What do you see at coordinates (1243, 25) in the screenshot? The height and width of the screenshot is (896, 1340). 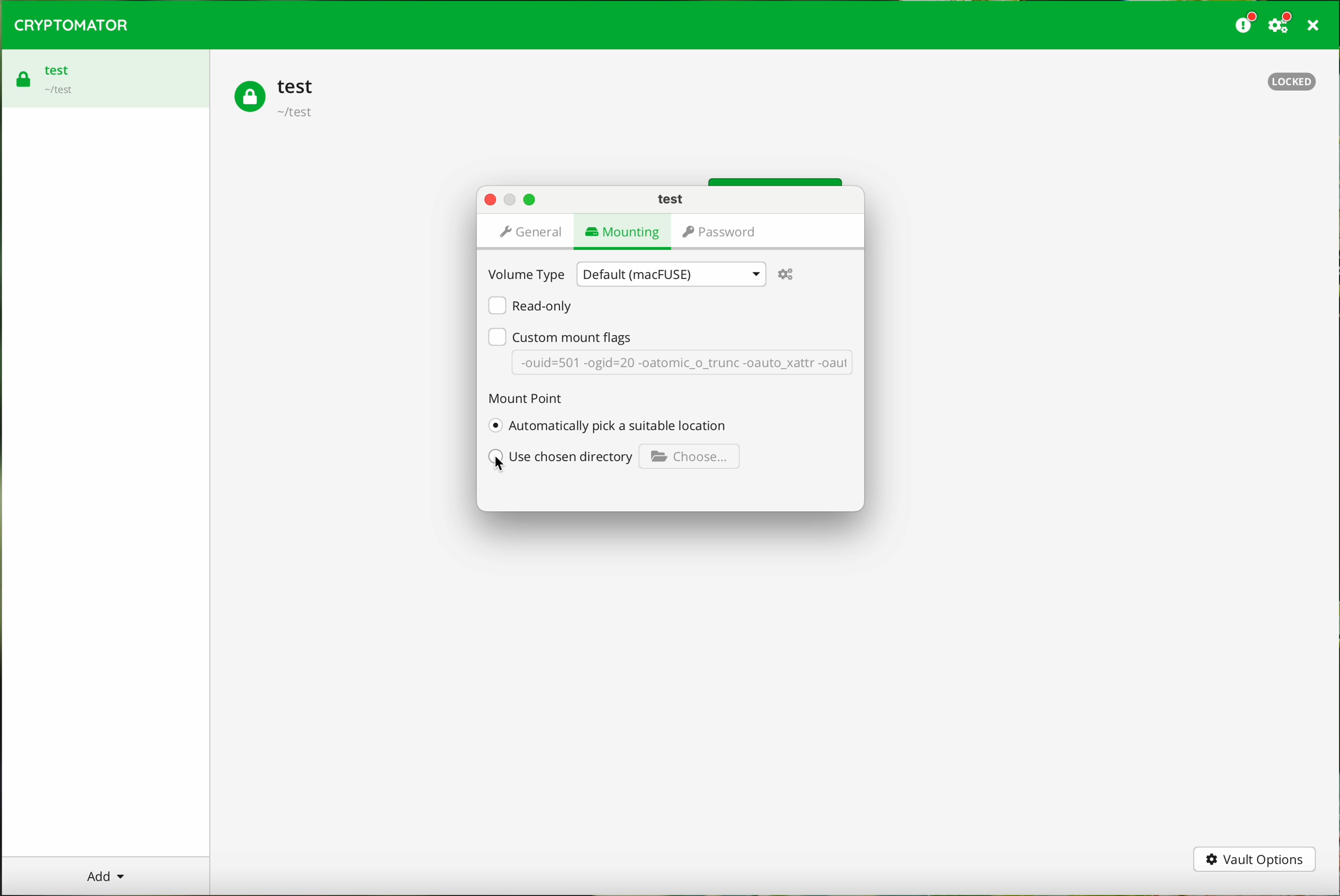 I see `donate` at bounding box center [1243, 25].